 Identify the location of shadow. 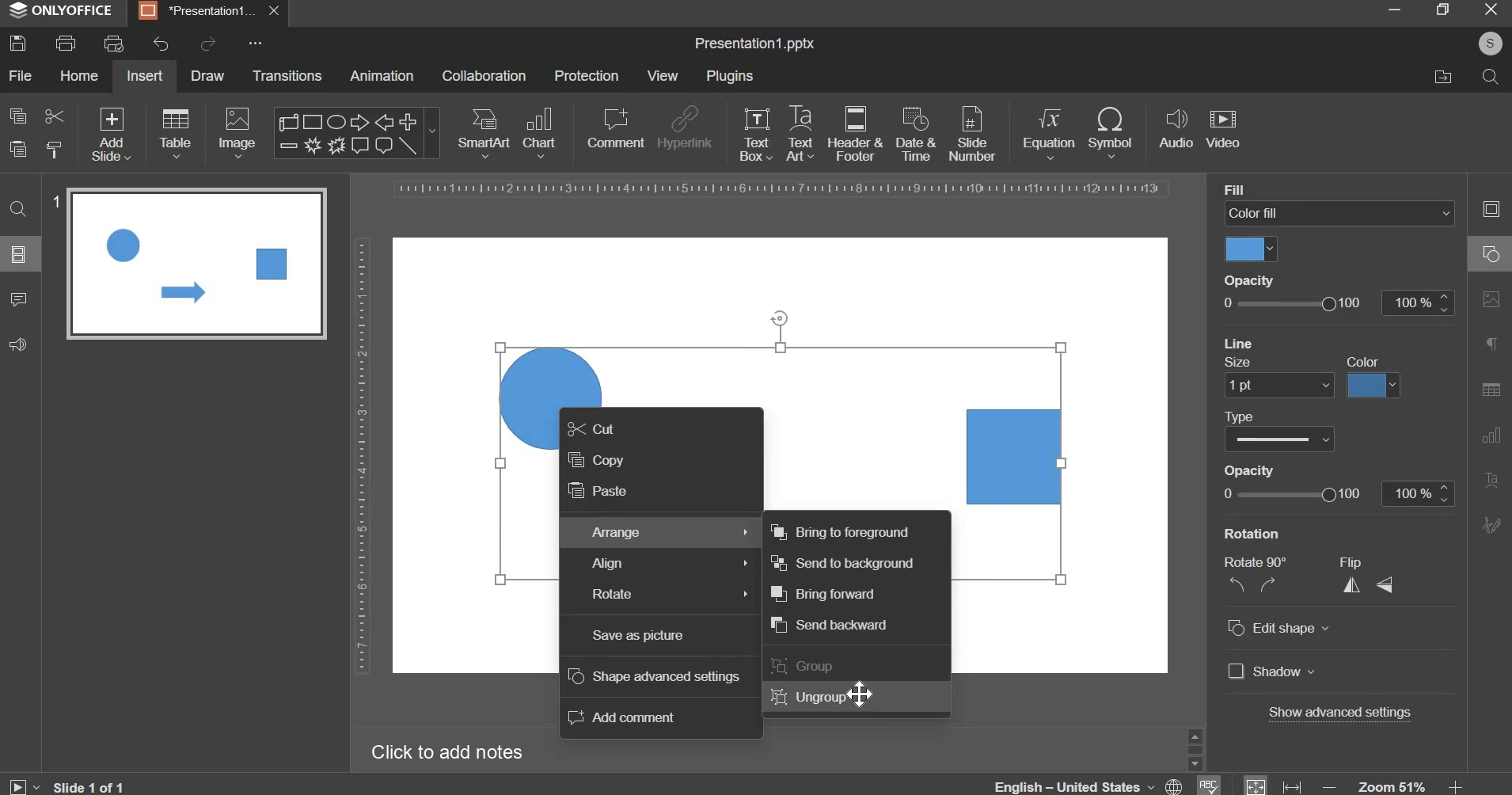
(1272, 673).